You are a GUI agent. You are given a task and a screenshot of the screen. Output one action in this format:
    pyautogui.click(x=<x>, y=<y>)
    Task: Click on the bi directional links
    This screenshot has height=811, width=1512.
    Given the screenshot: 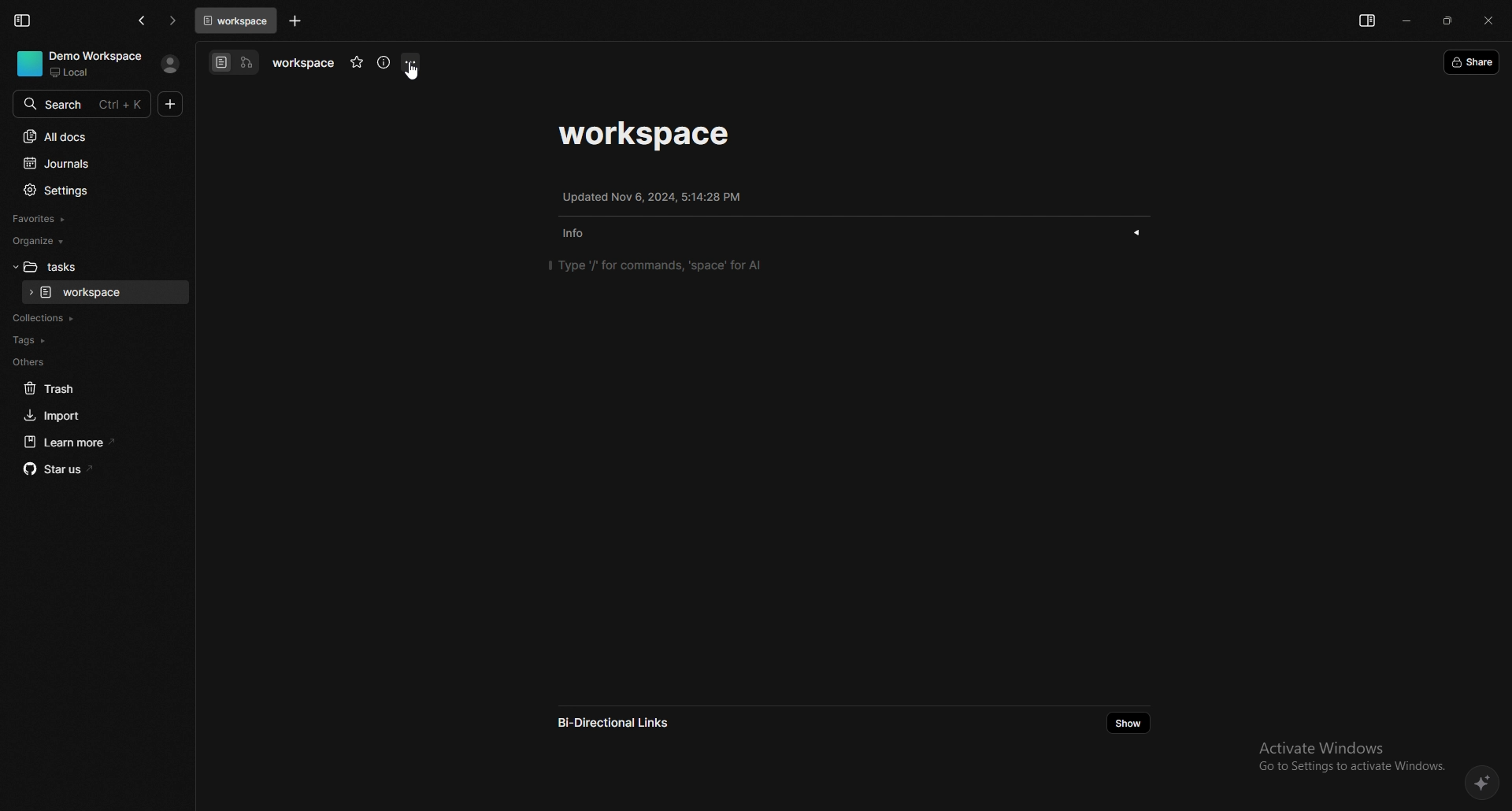 What is the action you would take?
    pyautogui.click(x=627, y=723)
    